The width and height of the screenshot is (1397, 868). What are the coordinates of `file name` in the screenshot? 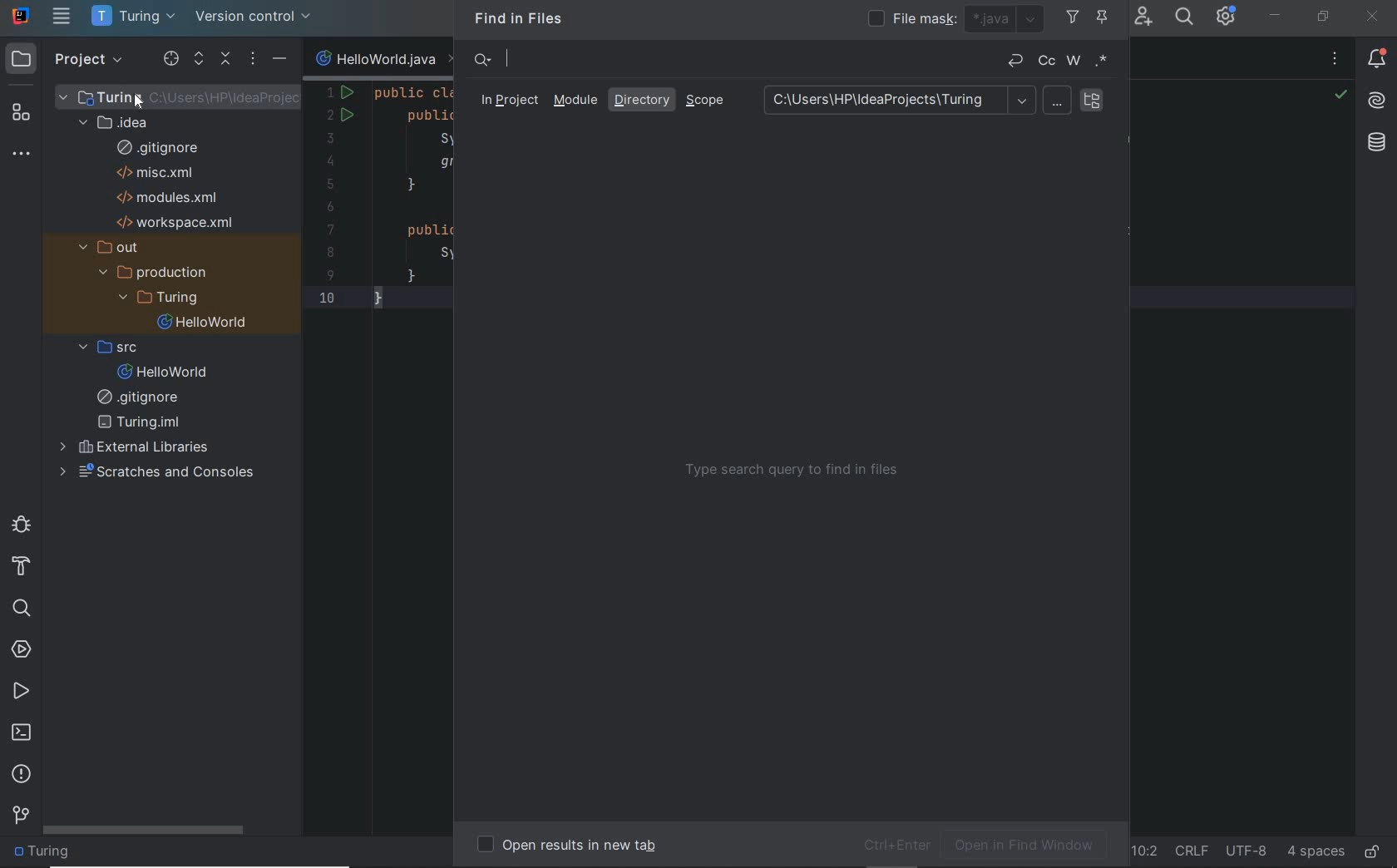 It's located at (388, 59).